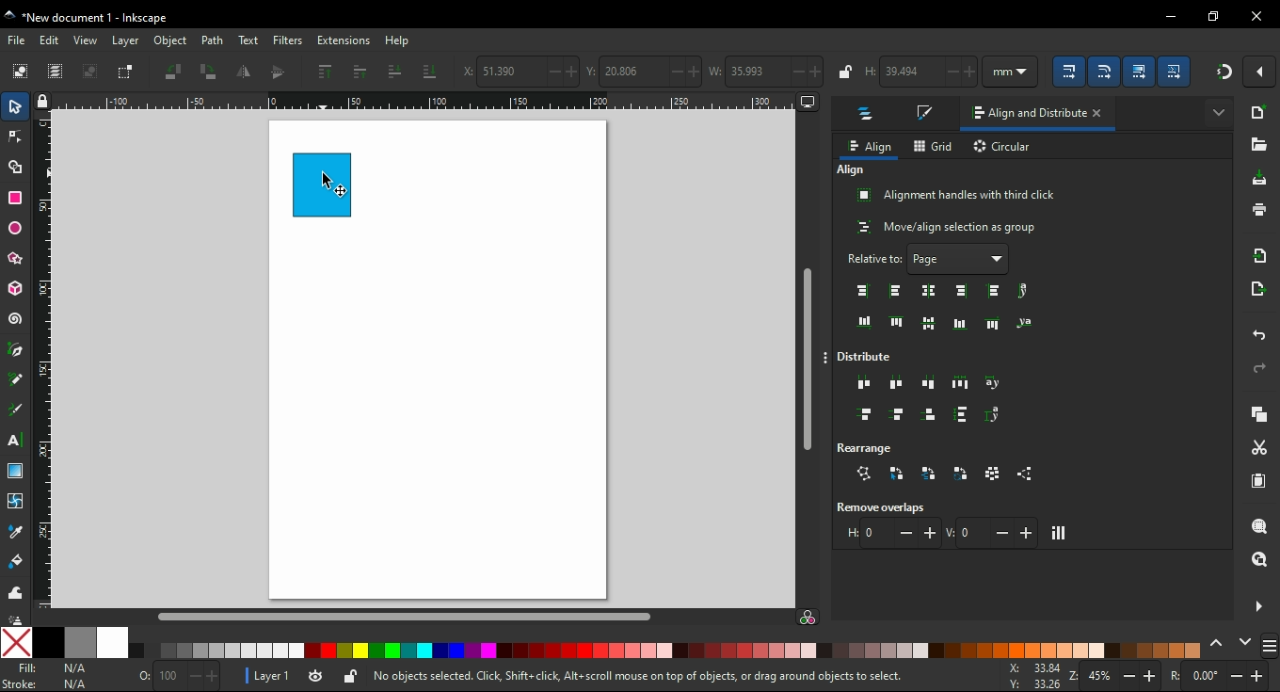 This screenshot has width=1280, height=692. Describe the element at coordinates (93, 71) in the screenshot. I see `deselect` at that location.